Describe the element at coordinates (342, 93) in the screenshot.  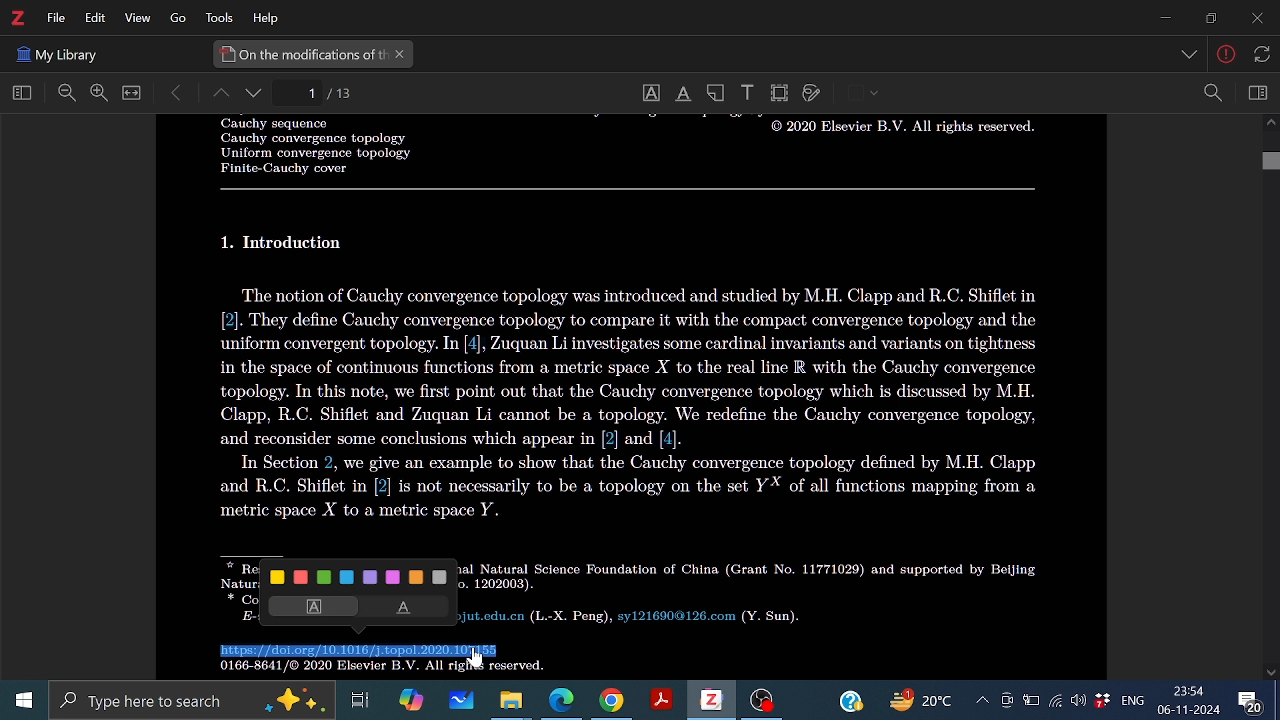
I see `Current page` at that location.